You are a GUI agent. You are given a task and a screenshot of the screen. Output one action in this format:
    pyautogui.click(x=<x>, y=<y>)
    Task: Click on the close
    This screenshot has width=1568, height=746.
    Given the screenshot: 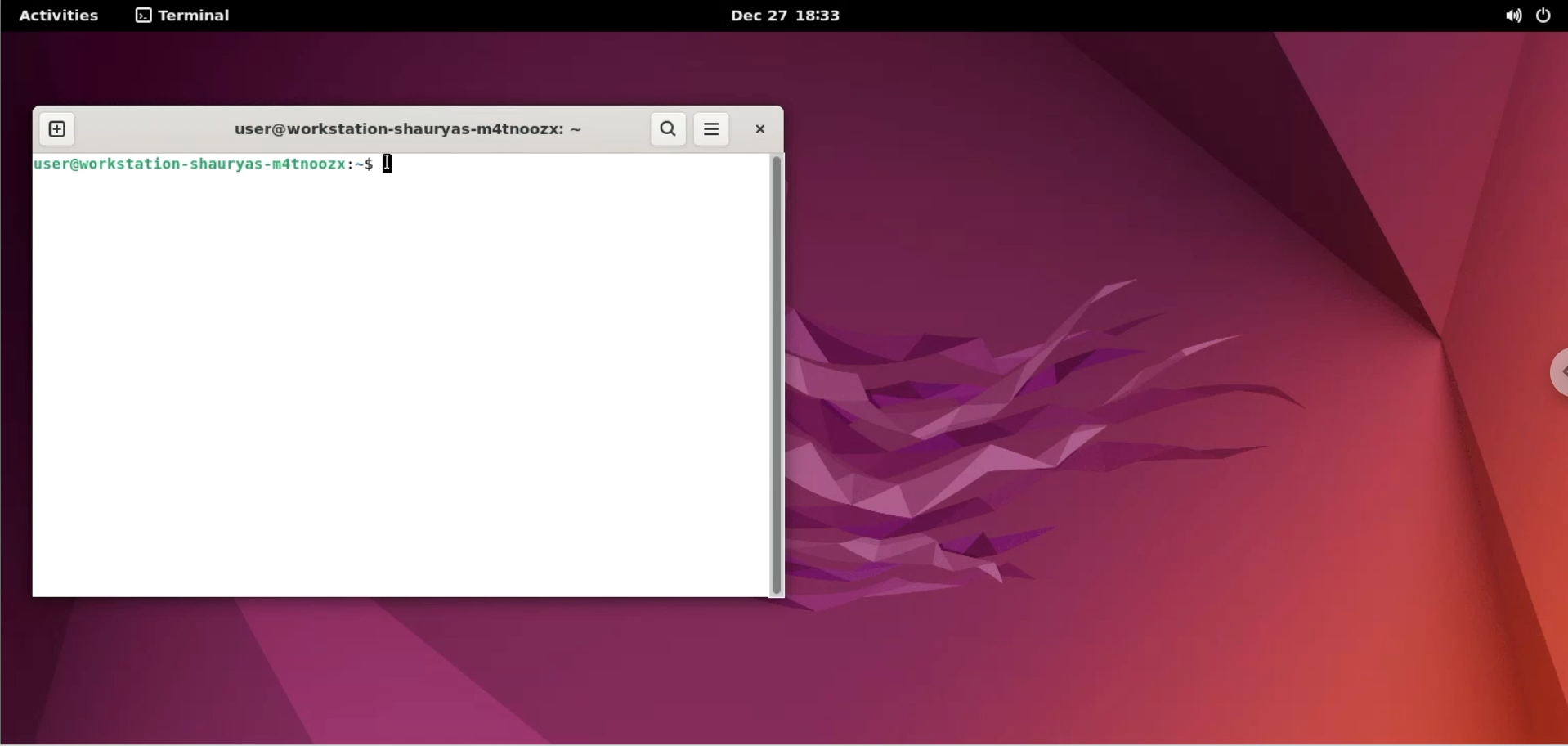 What is the action you would take?
    pyautogui.click(x=758, y=129)
    